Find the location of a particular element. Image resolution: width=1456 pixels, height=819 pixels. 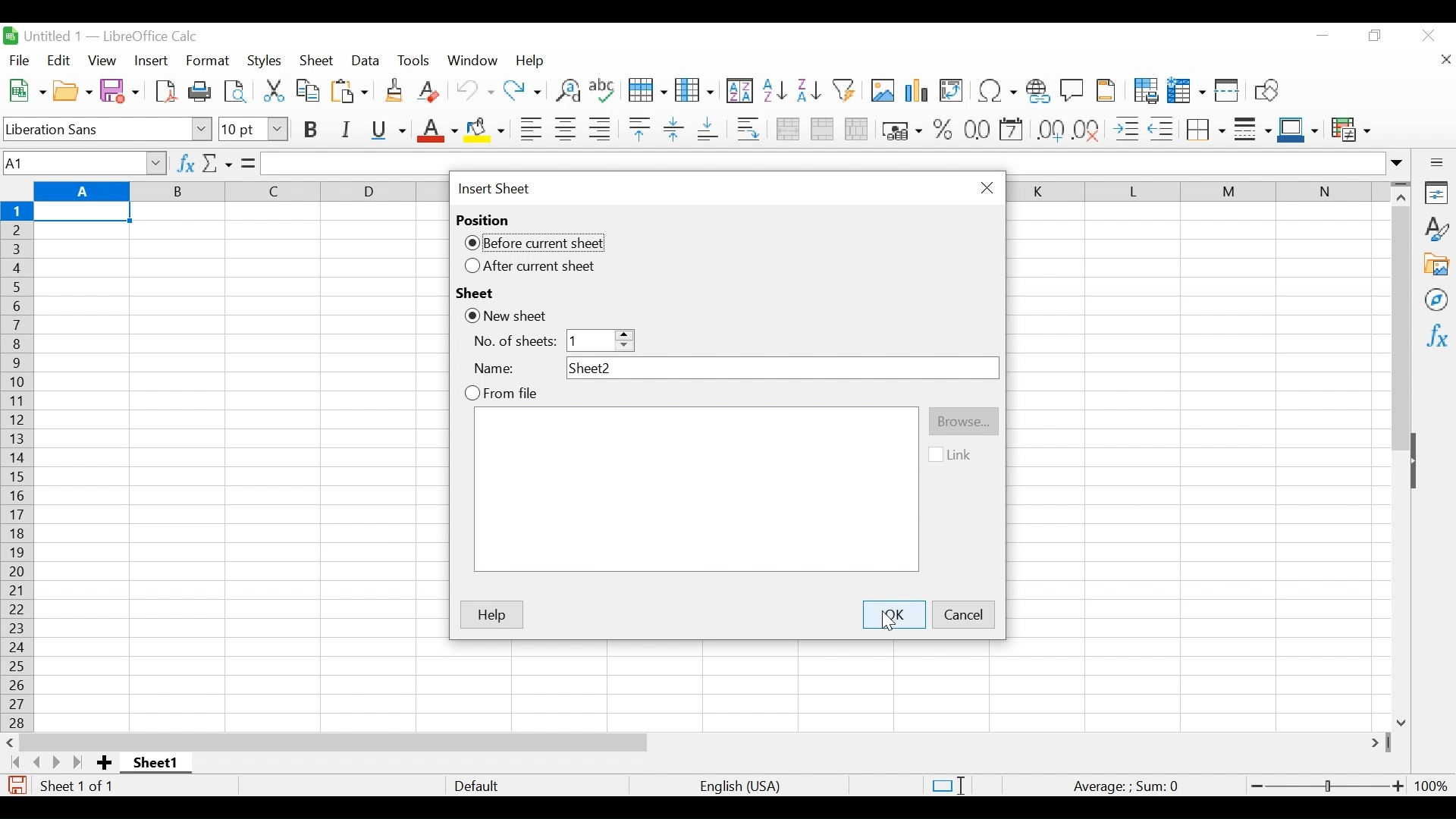

(un)select After current Sheet is located at coordinates (533, 267).